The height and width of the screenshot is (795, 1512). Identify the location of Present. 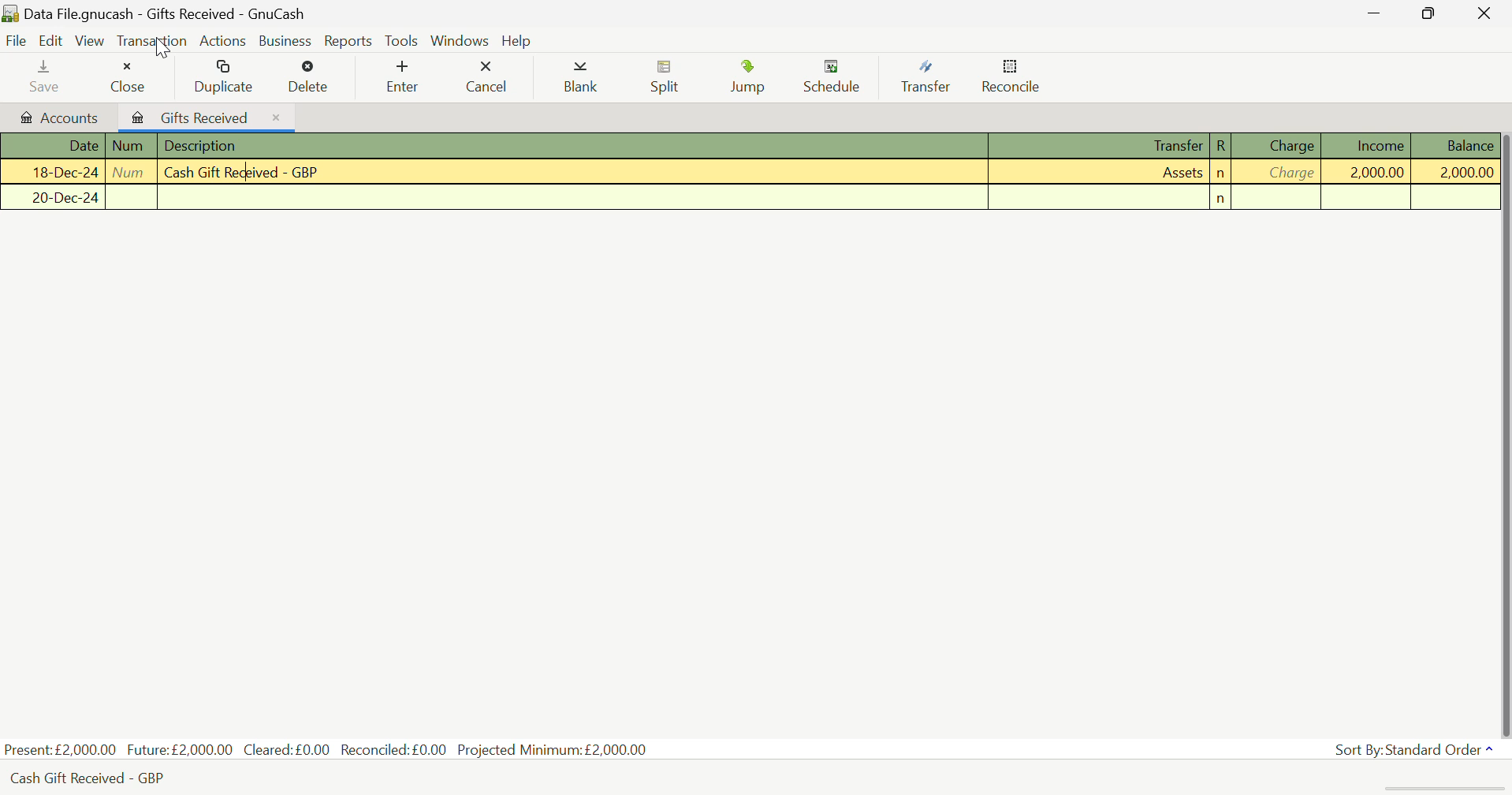
(61, 749).